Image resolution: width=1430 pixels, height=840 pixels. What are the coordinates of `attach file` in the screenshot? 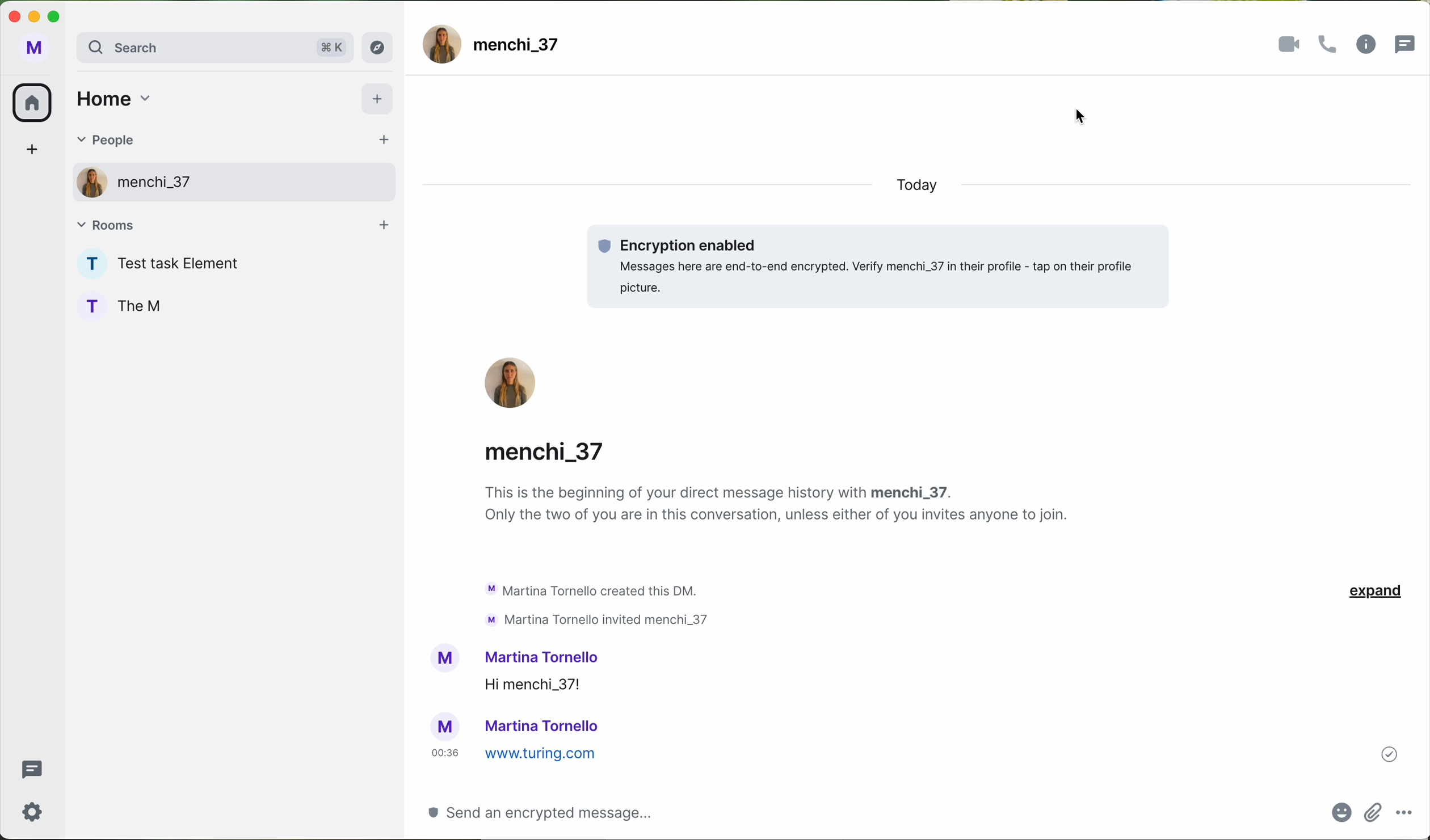 It's located at (1372, 815).